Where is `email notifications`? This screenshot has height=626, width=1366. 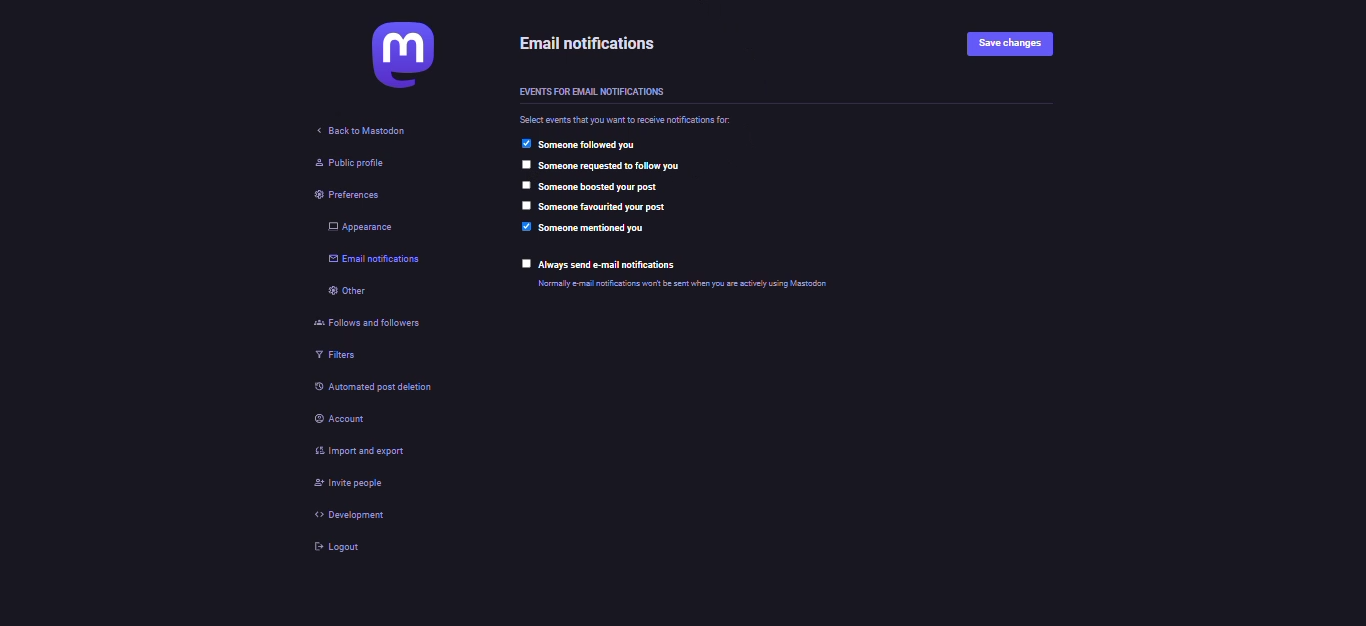
email notifications is located at coordinates (372, 260).